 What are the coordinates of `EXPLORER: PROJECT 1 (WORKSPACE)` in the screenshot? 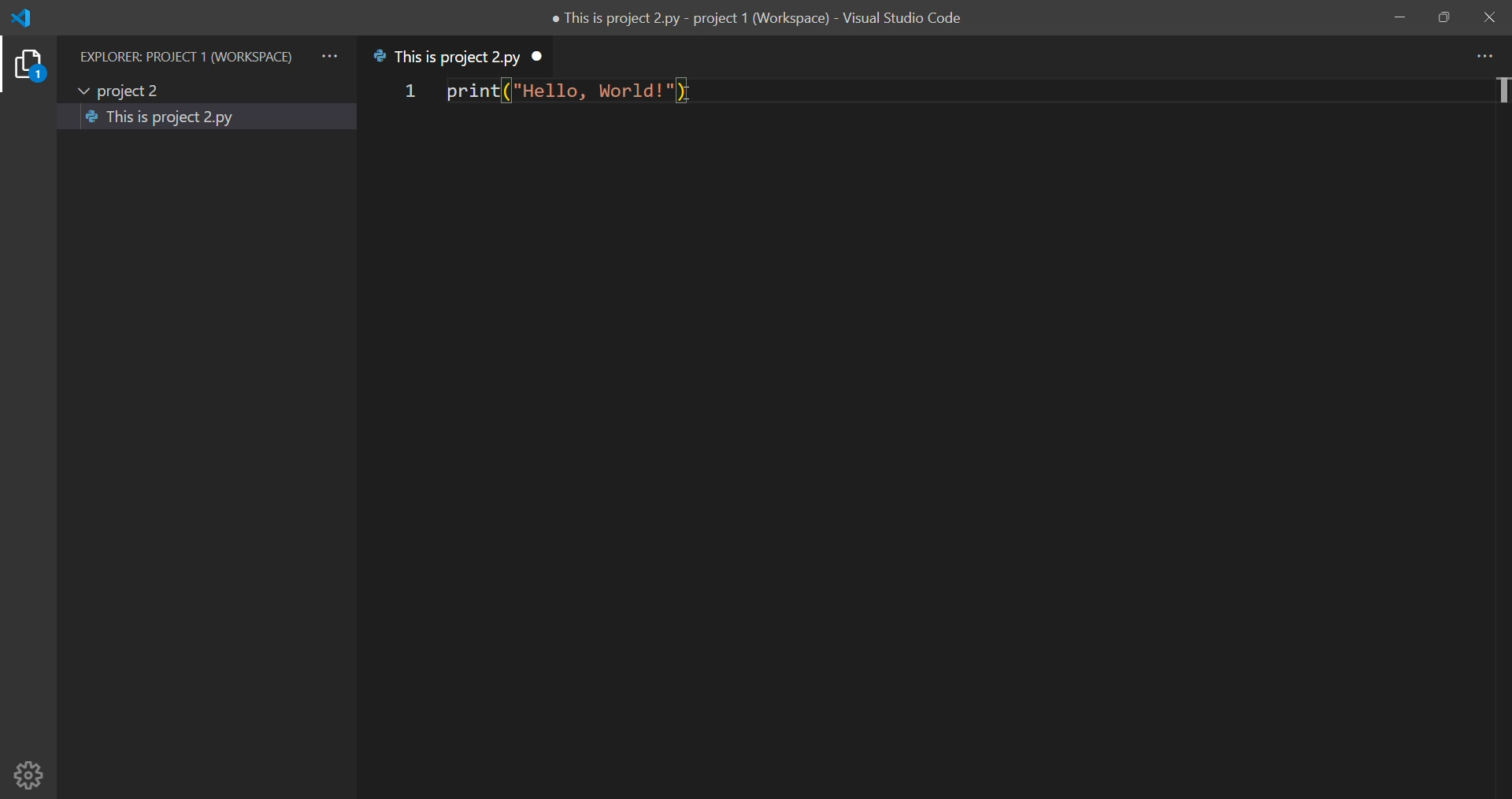 It's located at (184, 58).